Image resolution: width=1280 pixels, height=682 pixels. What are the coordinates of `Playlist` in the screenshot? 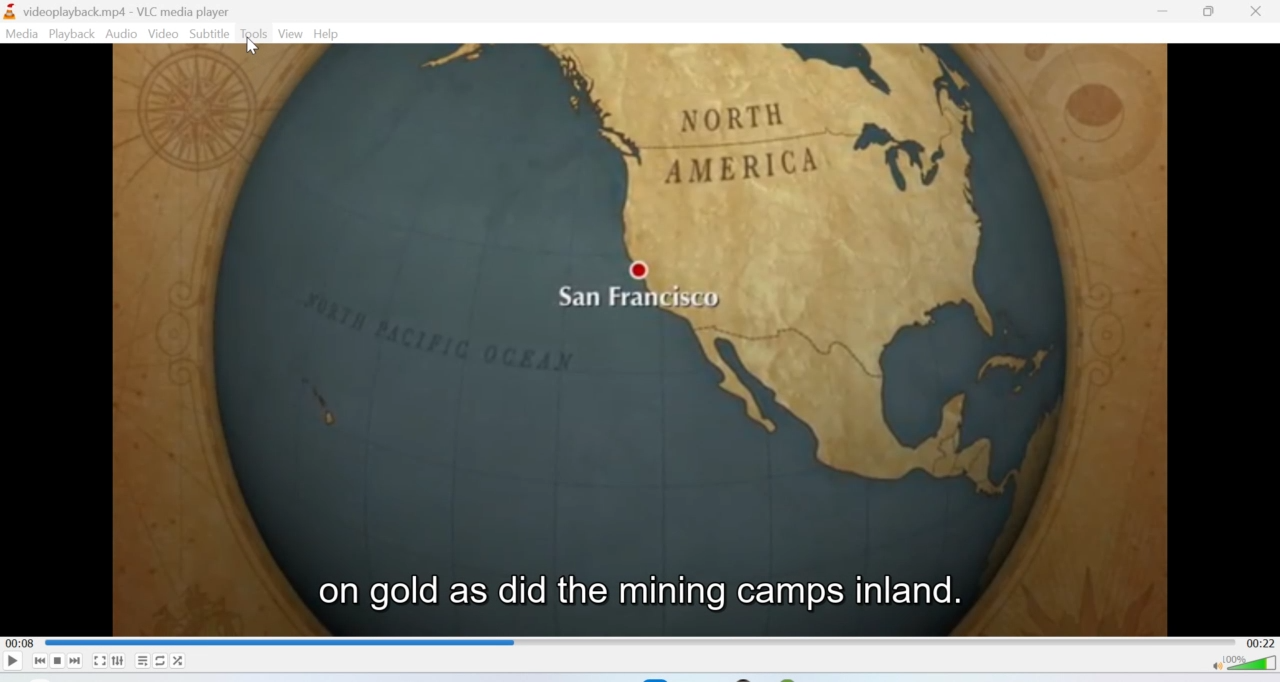 It's located at (141, 661).